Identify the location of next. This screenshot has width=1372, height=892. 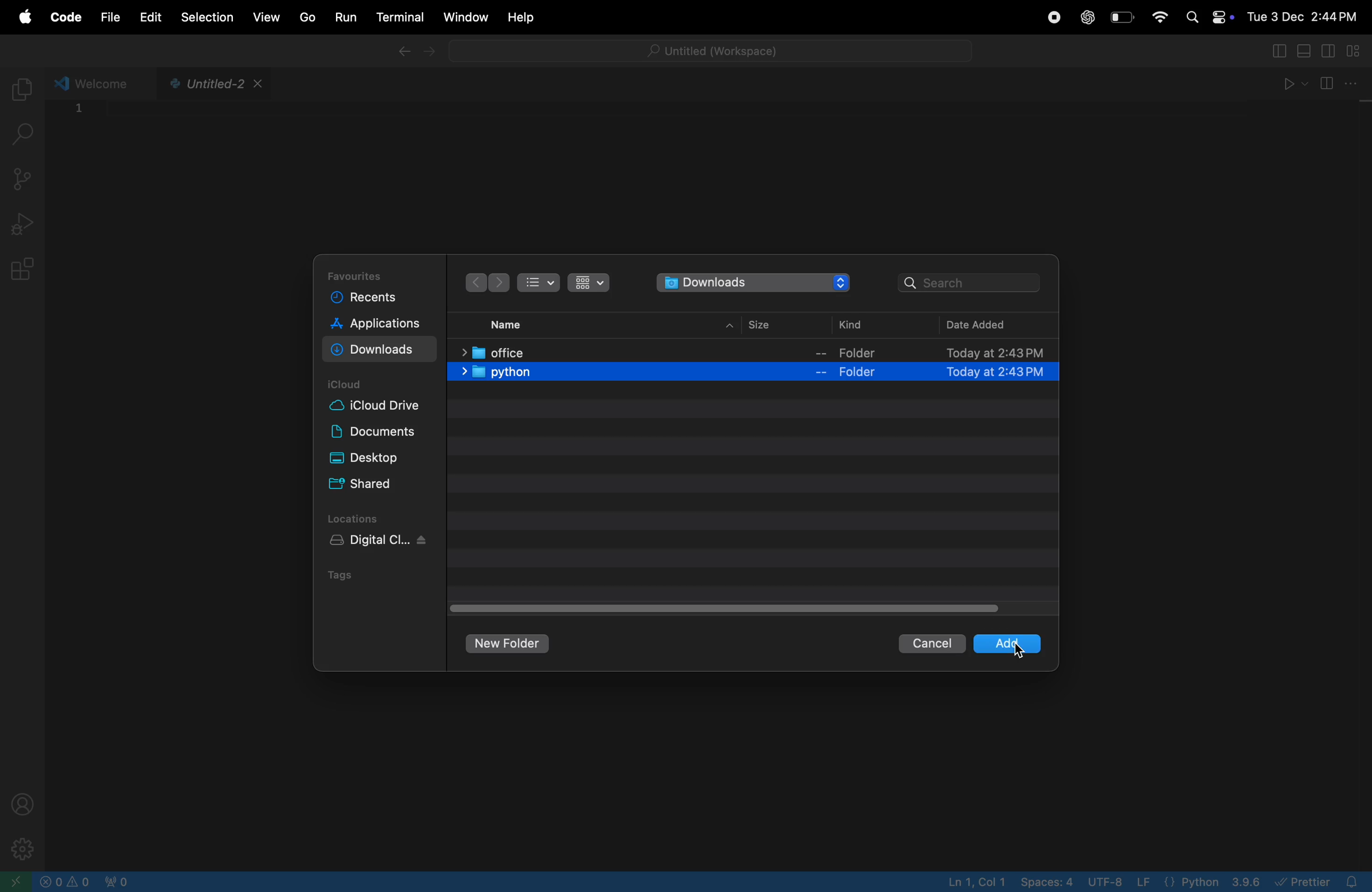
(504, 281).